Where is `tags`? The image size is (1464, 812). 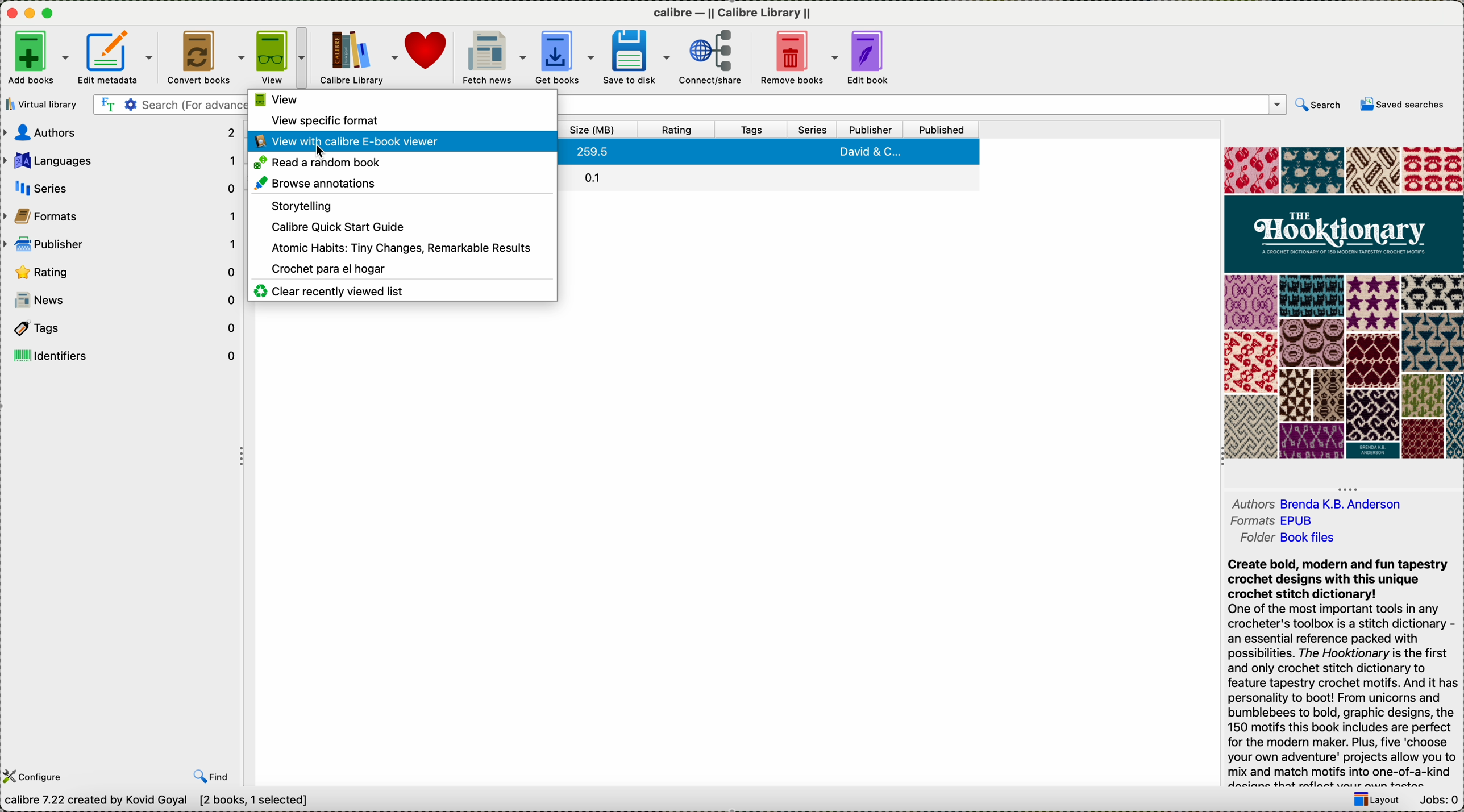 tags is located at coordinates (120, 327).